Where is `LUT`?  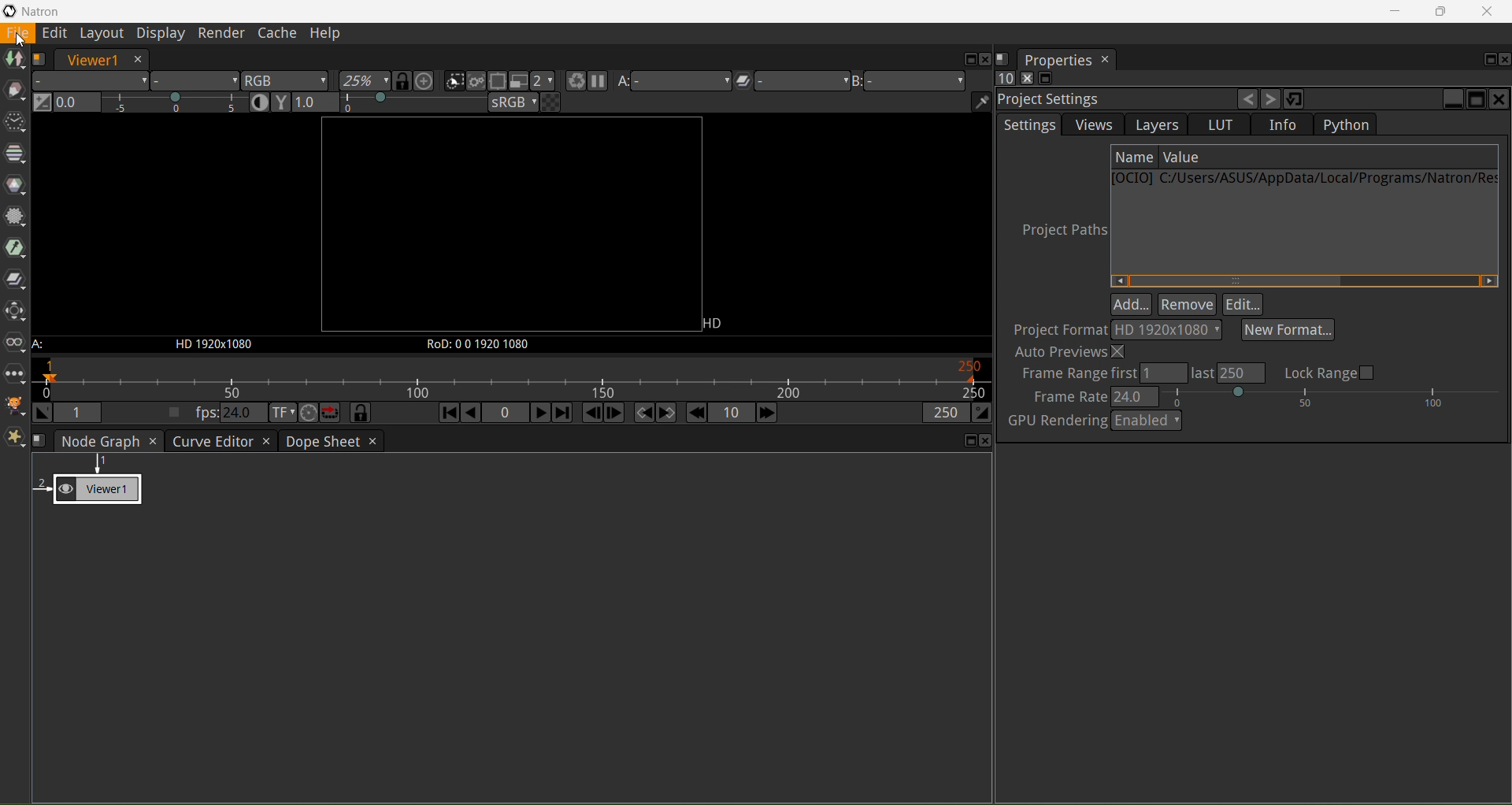 LUT is located at coordinates (1221, 124).